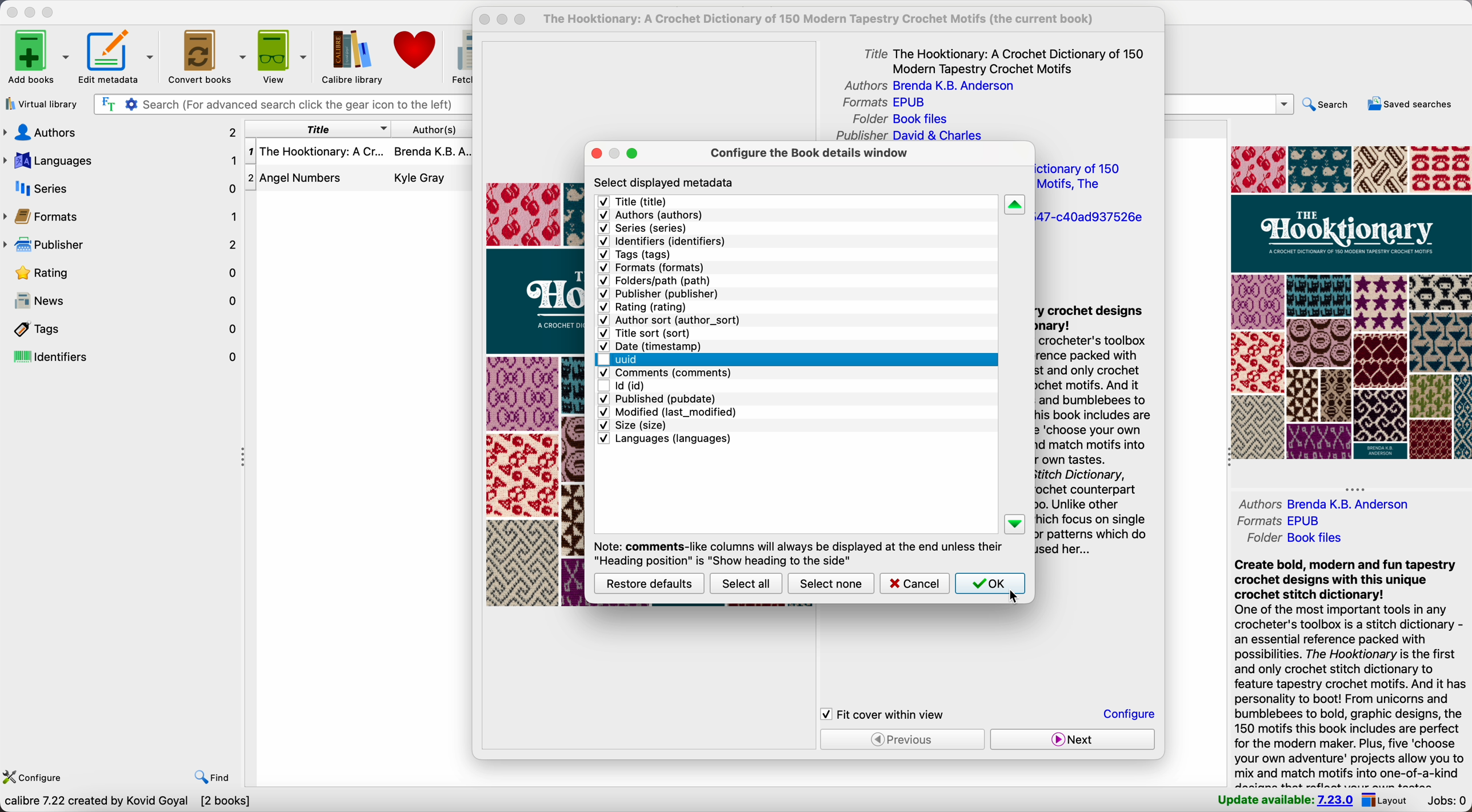 Image resolution: width=1472 pixels, height=812 pixels. I want to click on fit cover within view, so click(883, 714).